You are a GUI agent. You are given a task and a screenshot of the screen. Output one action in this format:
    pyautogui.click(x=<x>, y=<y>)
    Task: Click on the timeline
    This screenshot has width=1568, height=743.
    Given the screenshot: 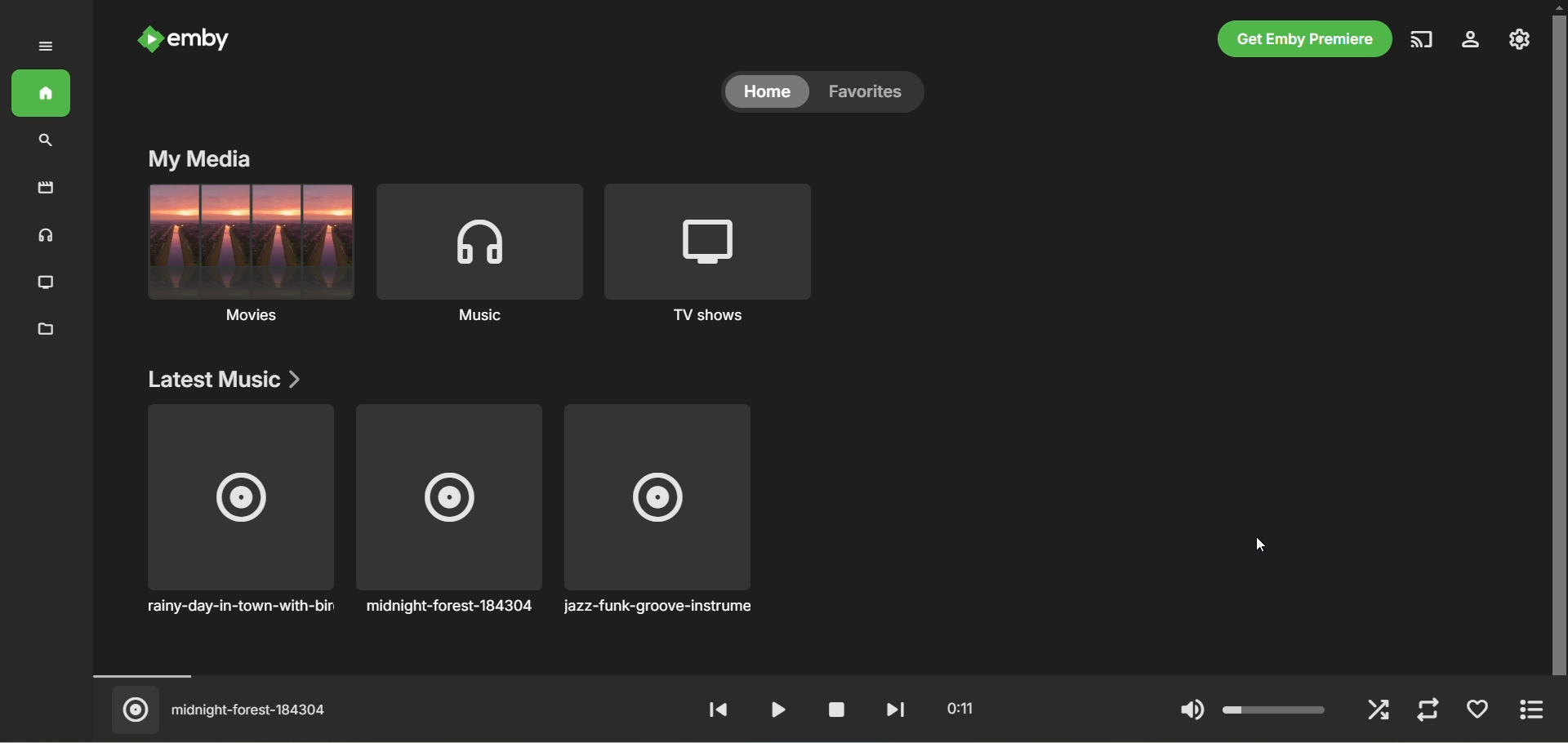 What is the action you would take?
    pyautogui.click(x=807, y=676)
    